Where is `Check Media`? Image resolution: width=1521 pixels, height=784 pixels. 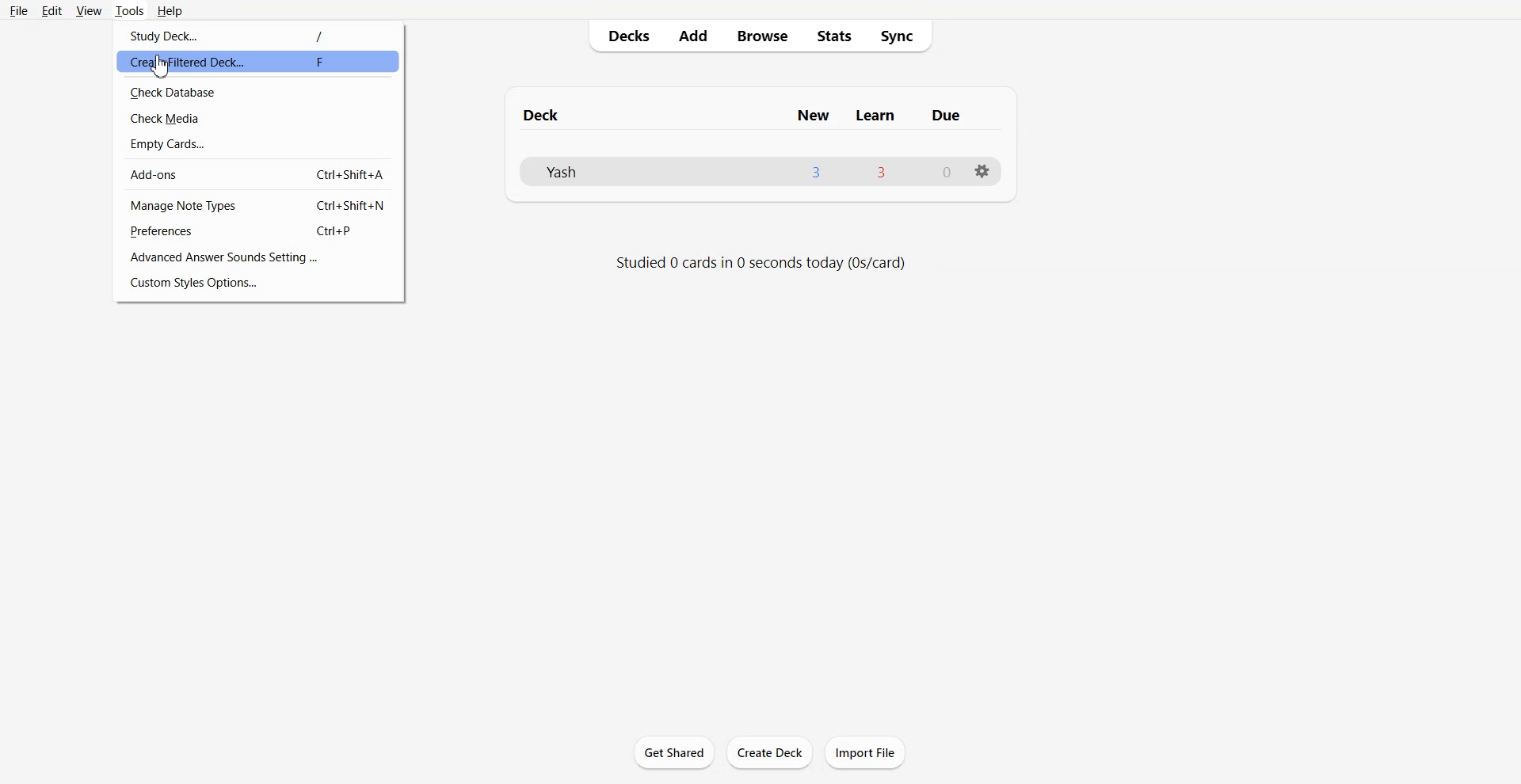
Check Media is located at coordinates (257, 119).